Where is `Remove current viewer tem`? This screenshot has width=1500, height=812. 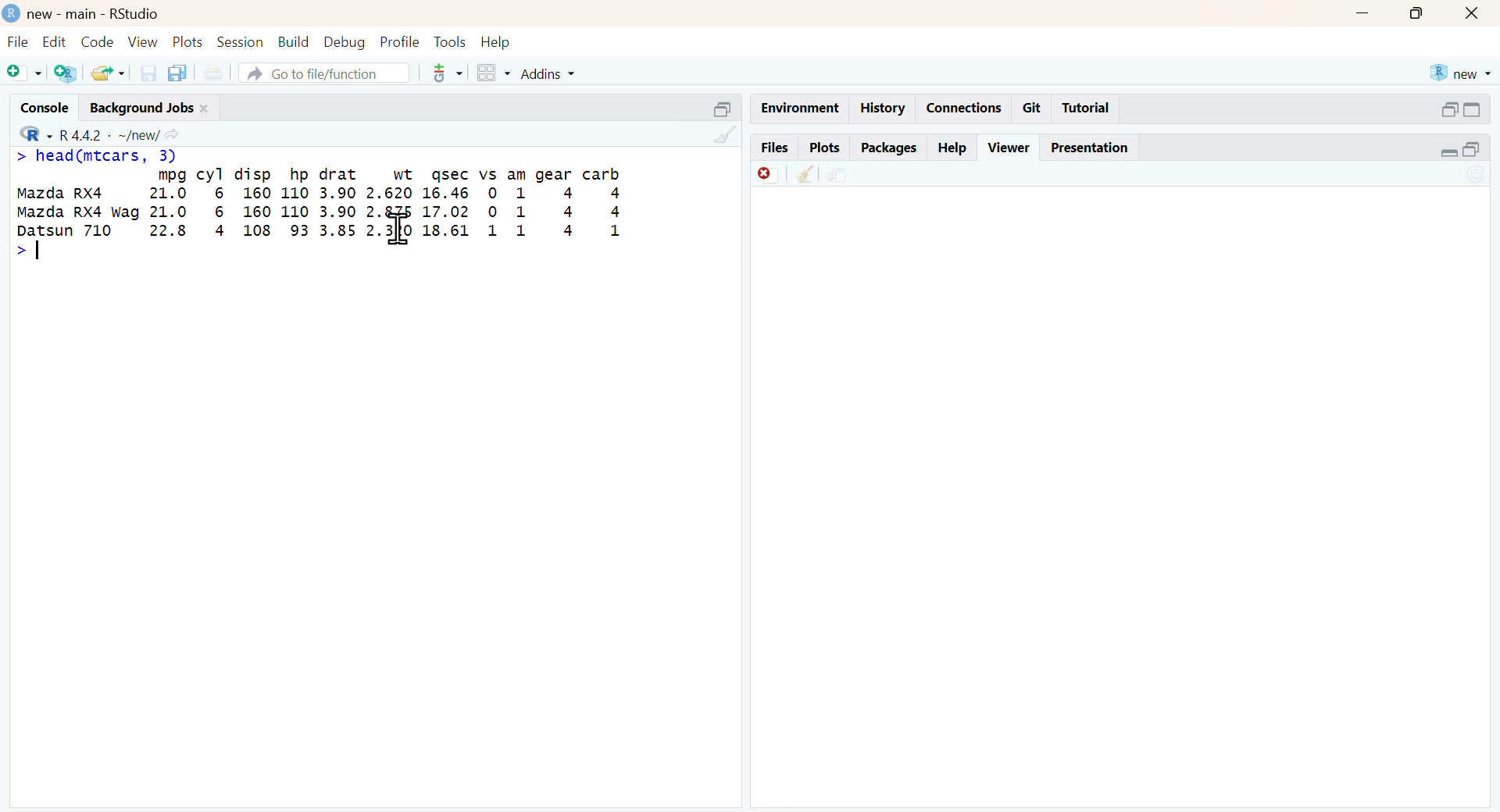 Remove current viewer tem is located at coordinates (756, 173).